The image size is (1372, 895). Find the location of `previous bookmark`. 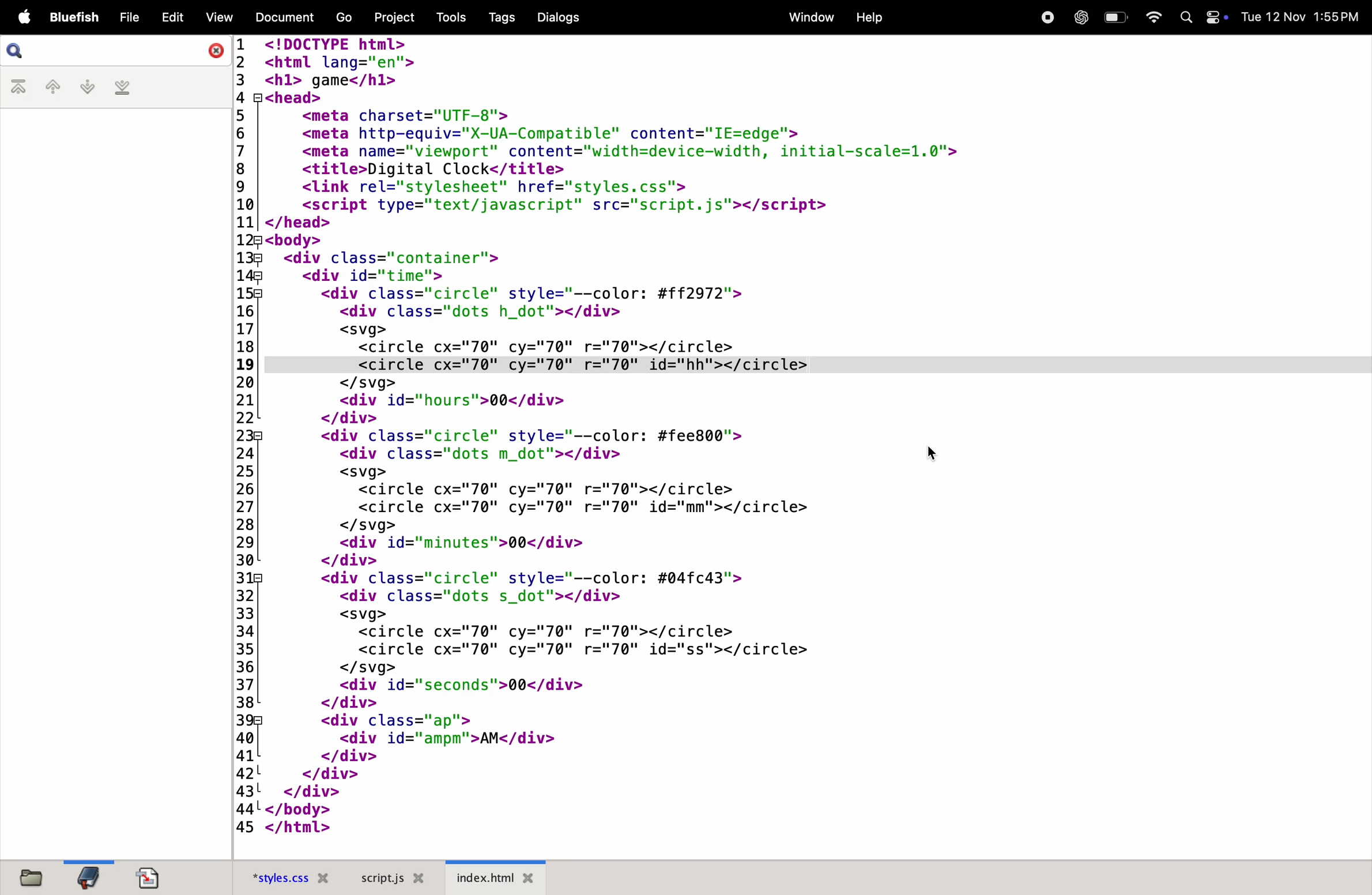

previous bookmark is located at coordinates (50, 87).